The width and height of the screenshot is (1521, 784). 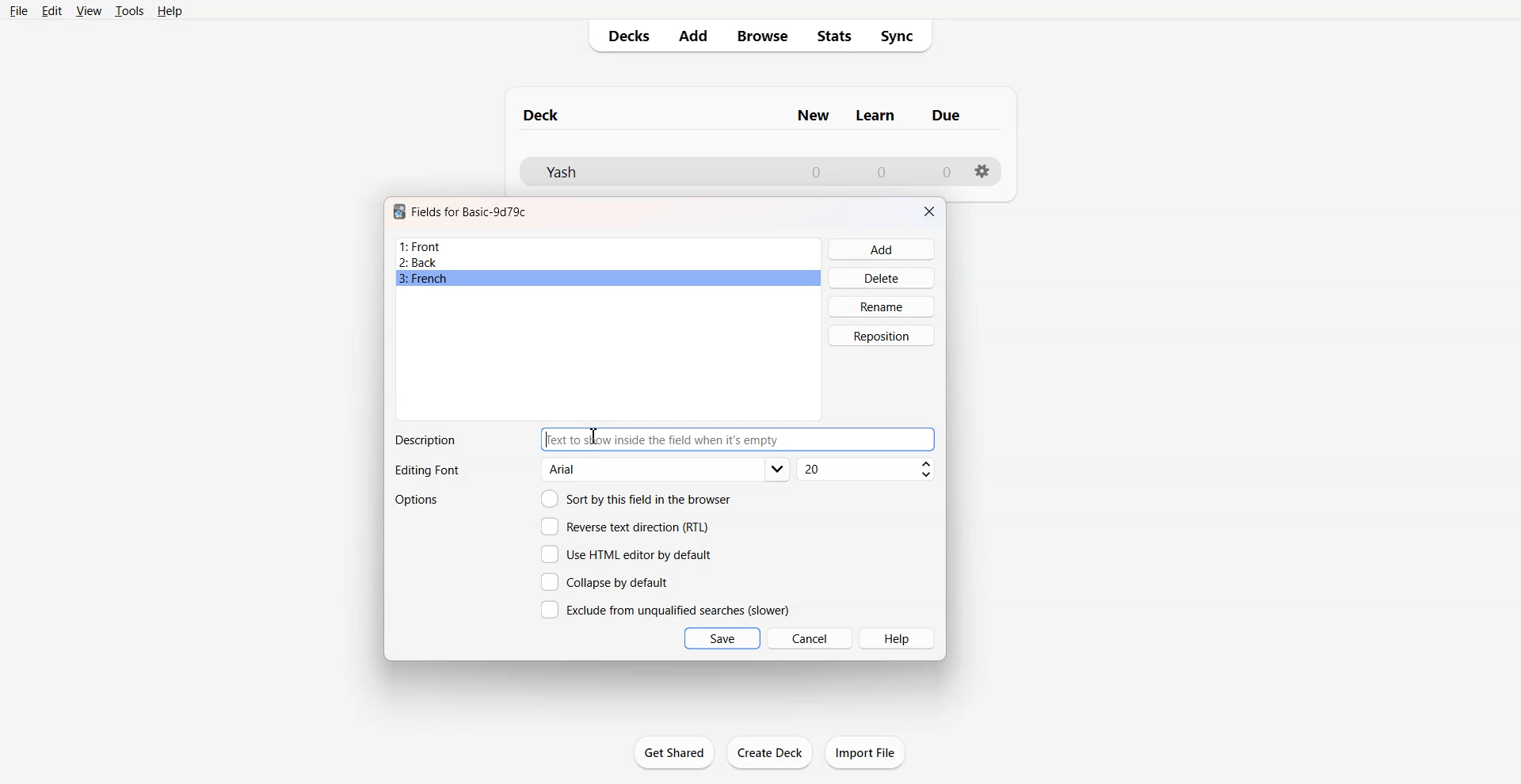 What do you see at coordinates (674, 752) in the screenshot?
I see `Get Shared` at bounding box center [674, 752].